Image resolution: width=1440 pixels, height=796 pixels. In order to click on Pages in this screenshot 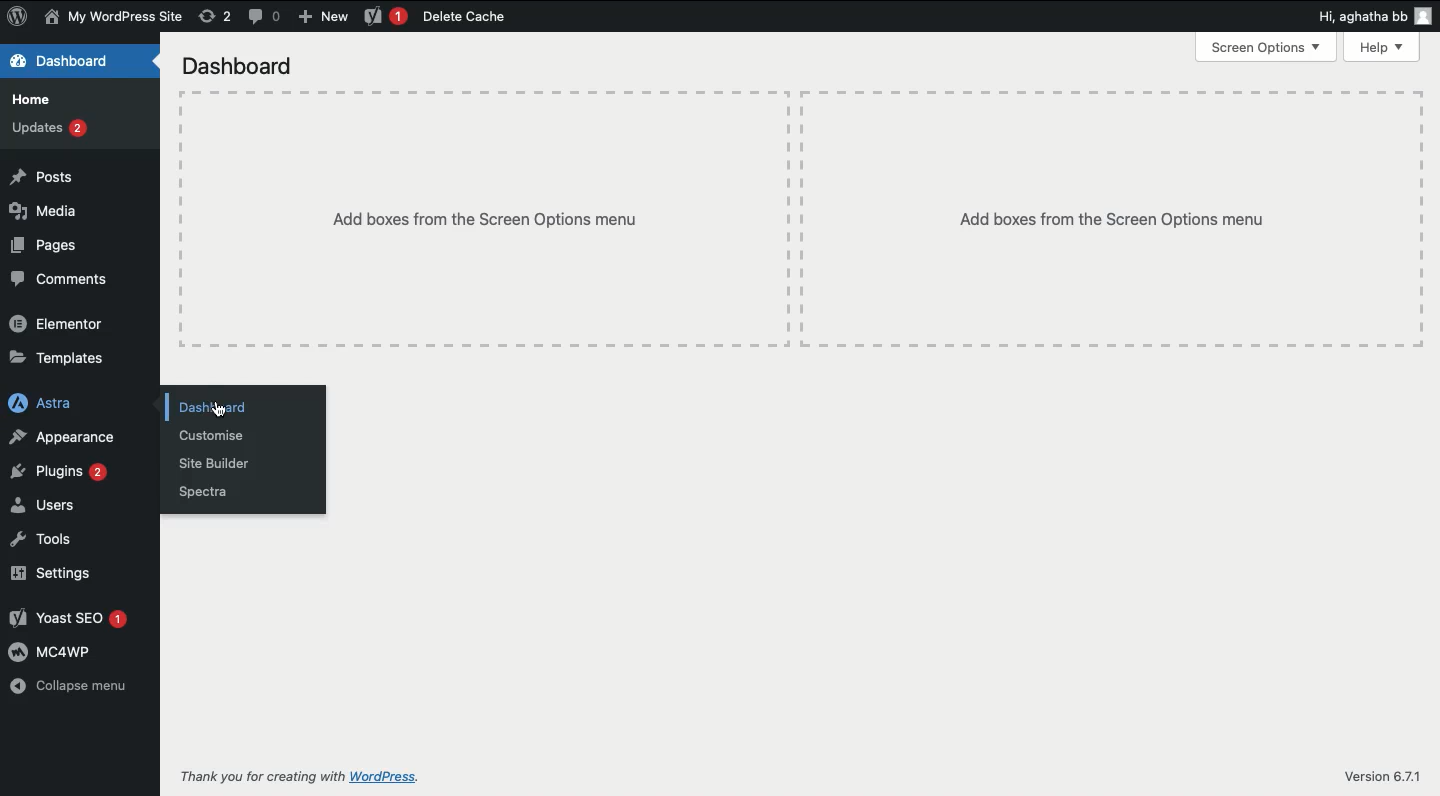, I will do `click(43, 246)`.